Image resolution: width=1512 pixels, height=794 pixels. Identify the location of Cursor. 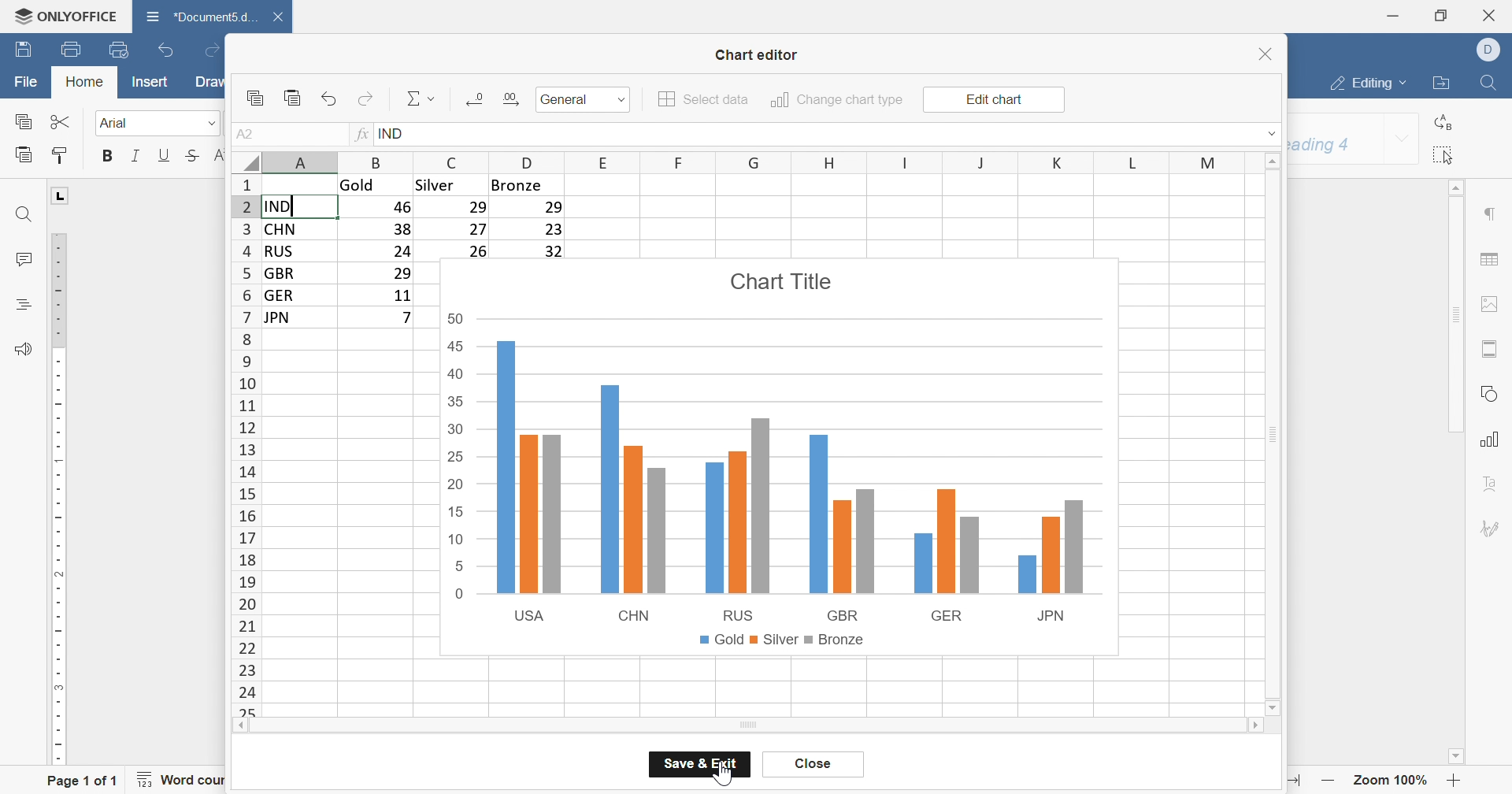
(718, 773).